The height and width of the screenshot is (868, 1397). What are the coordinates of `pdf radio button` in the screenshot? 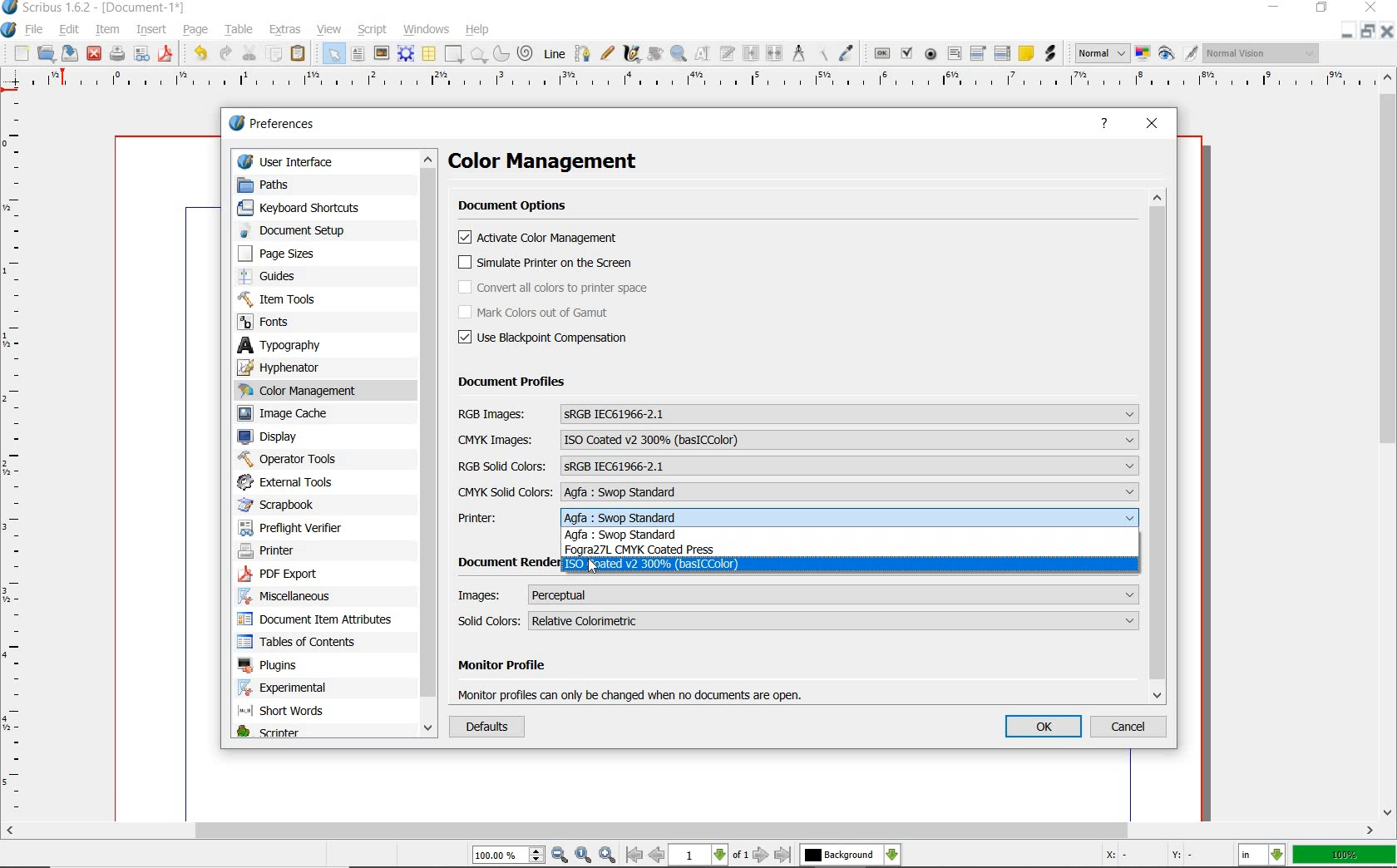 It's located at (931, 55).